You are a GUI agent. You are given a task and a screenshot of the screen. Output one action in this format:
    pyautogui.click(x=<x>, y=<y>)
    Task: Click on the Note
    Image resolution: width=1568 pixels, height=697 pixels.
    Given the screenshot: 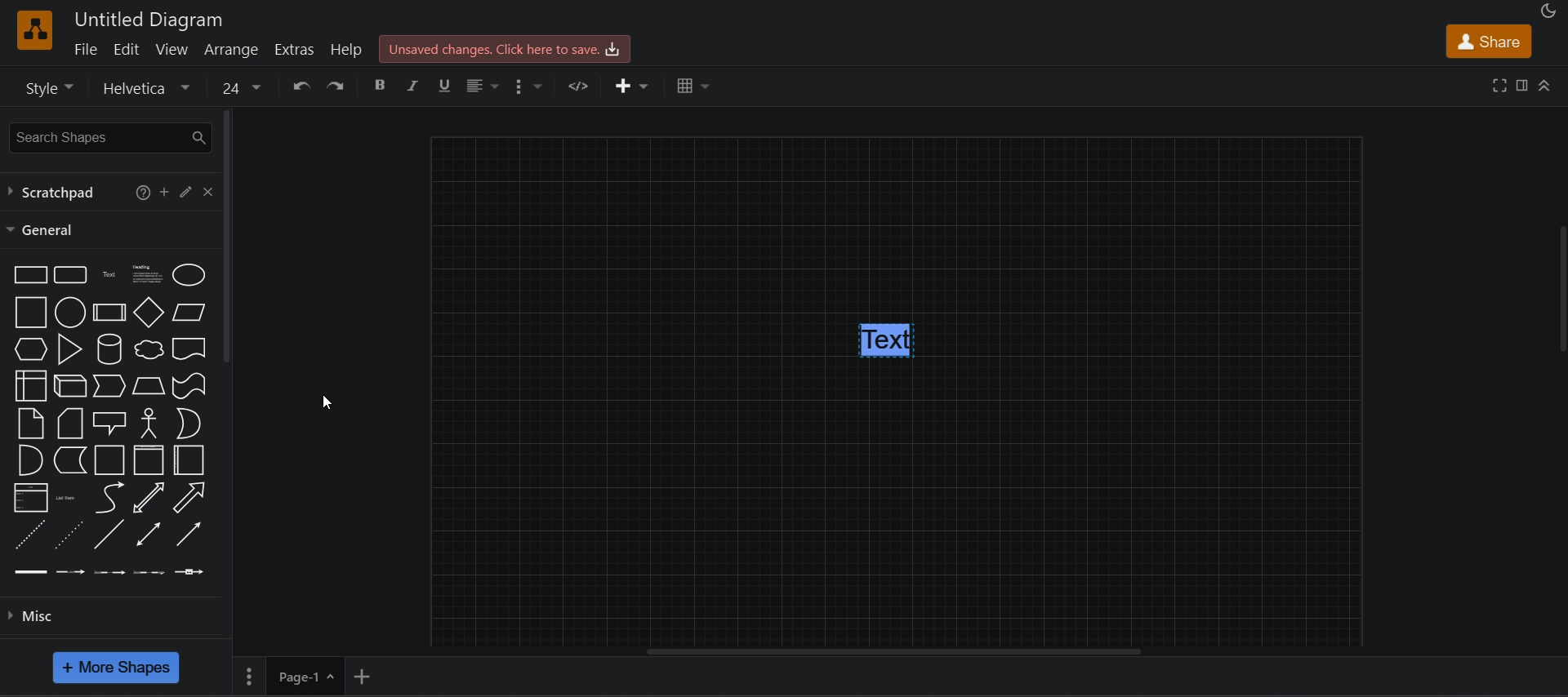 What is the action you would take?
    pyautogui.click(x=30, y=424)
    